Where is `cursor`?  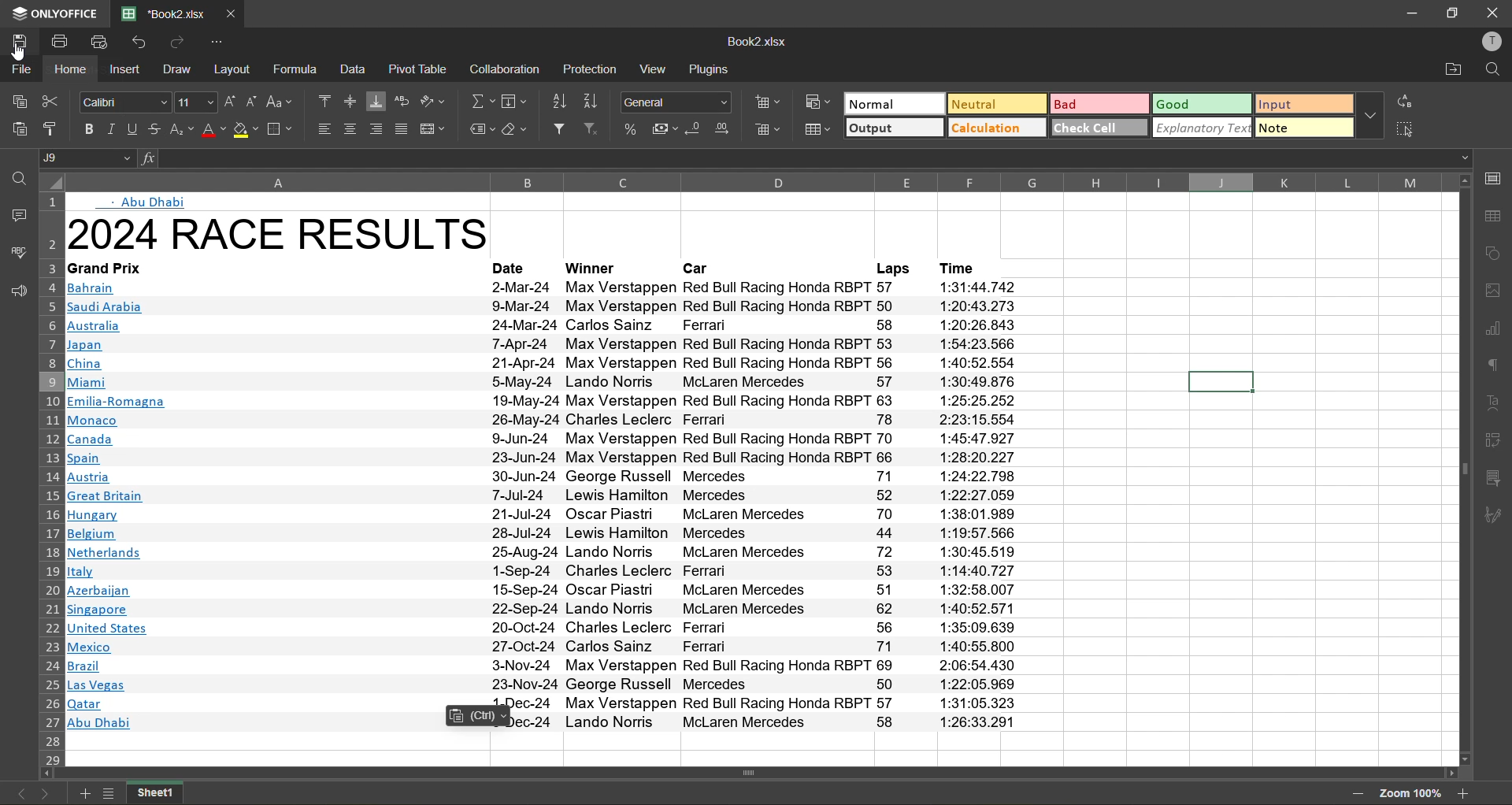 cursor is located at coordinates (20, 57).